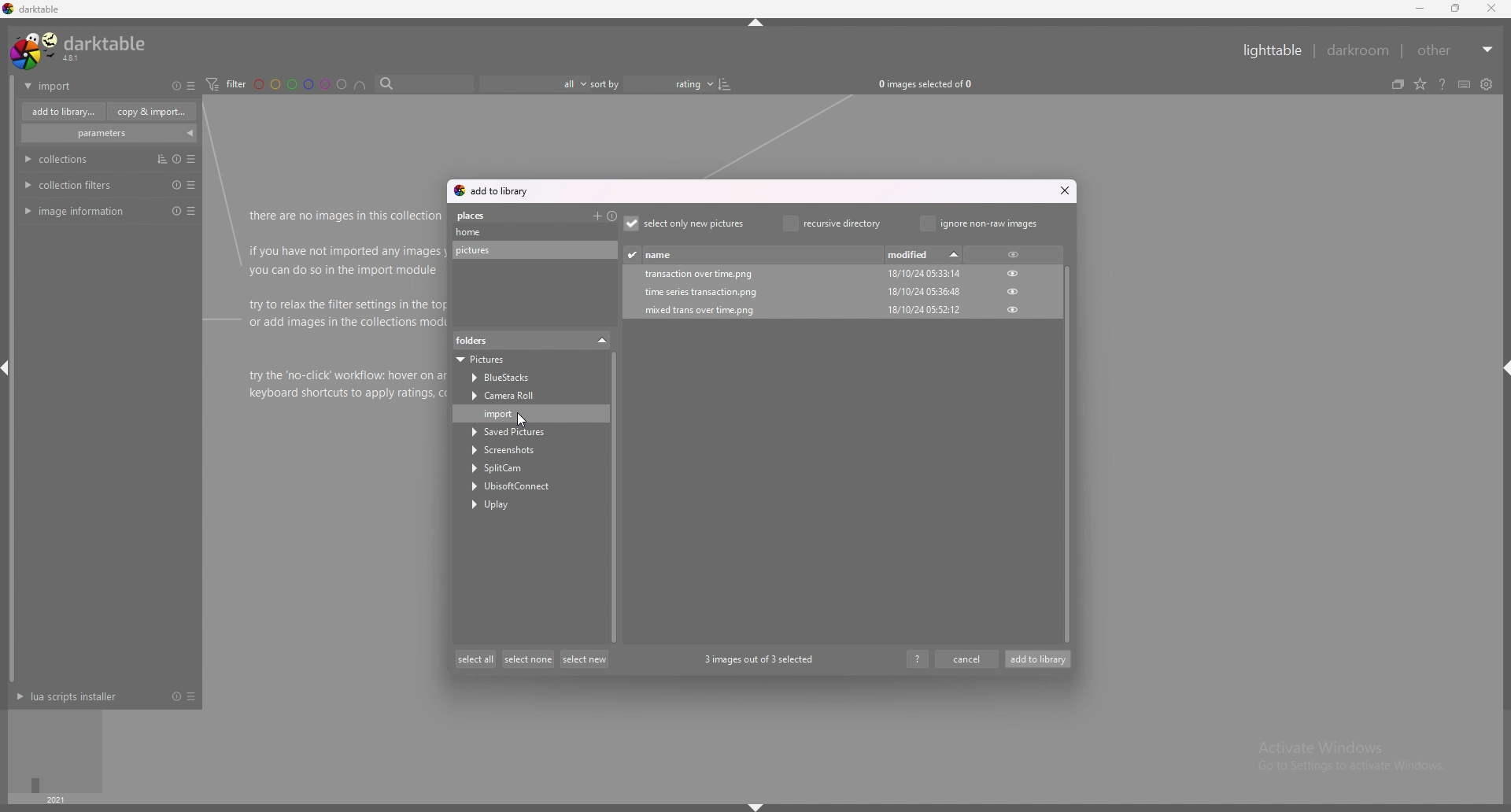 This screenshot has width=1511, height=812. What do you see at coordinates (584, 659) in the screenshot?
I see `select new` at bounding box center [584, 659].